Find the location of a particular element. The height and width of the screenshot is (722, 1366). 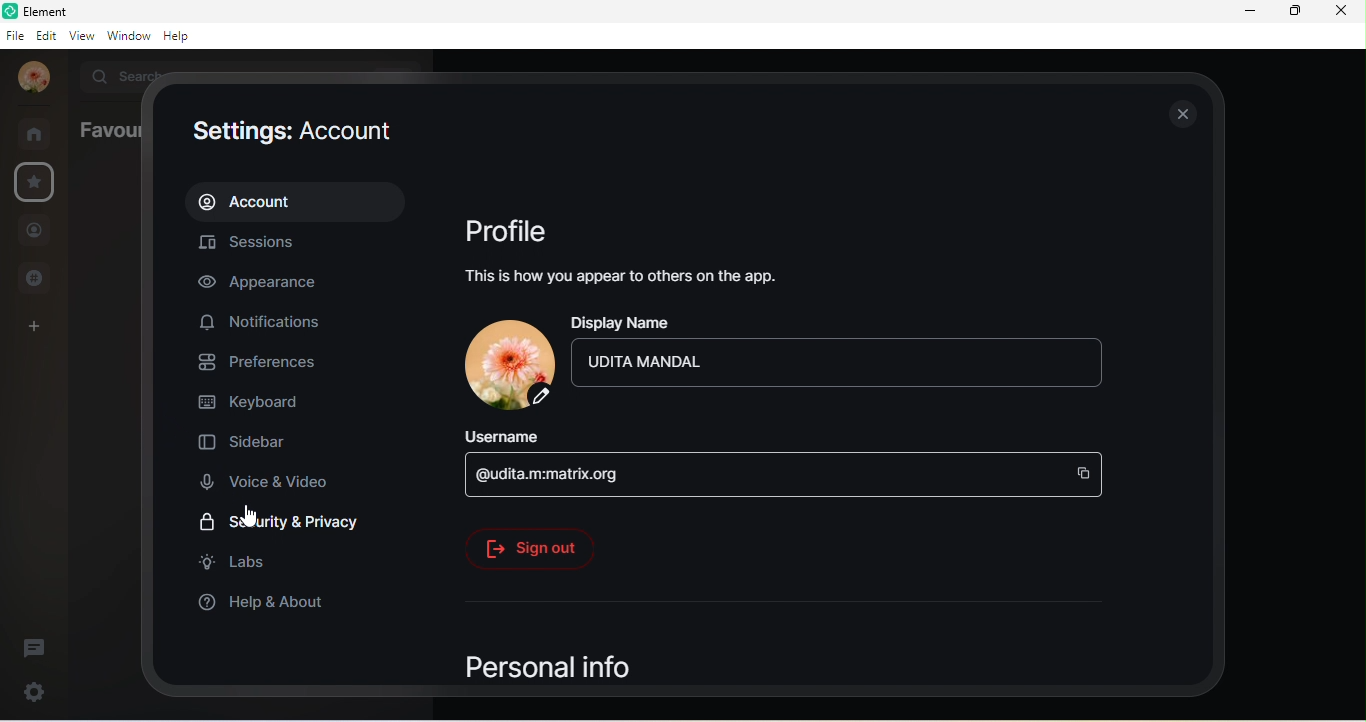

appearance is located at coordinates (271, 283).